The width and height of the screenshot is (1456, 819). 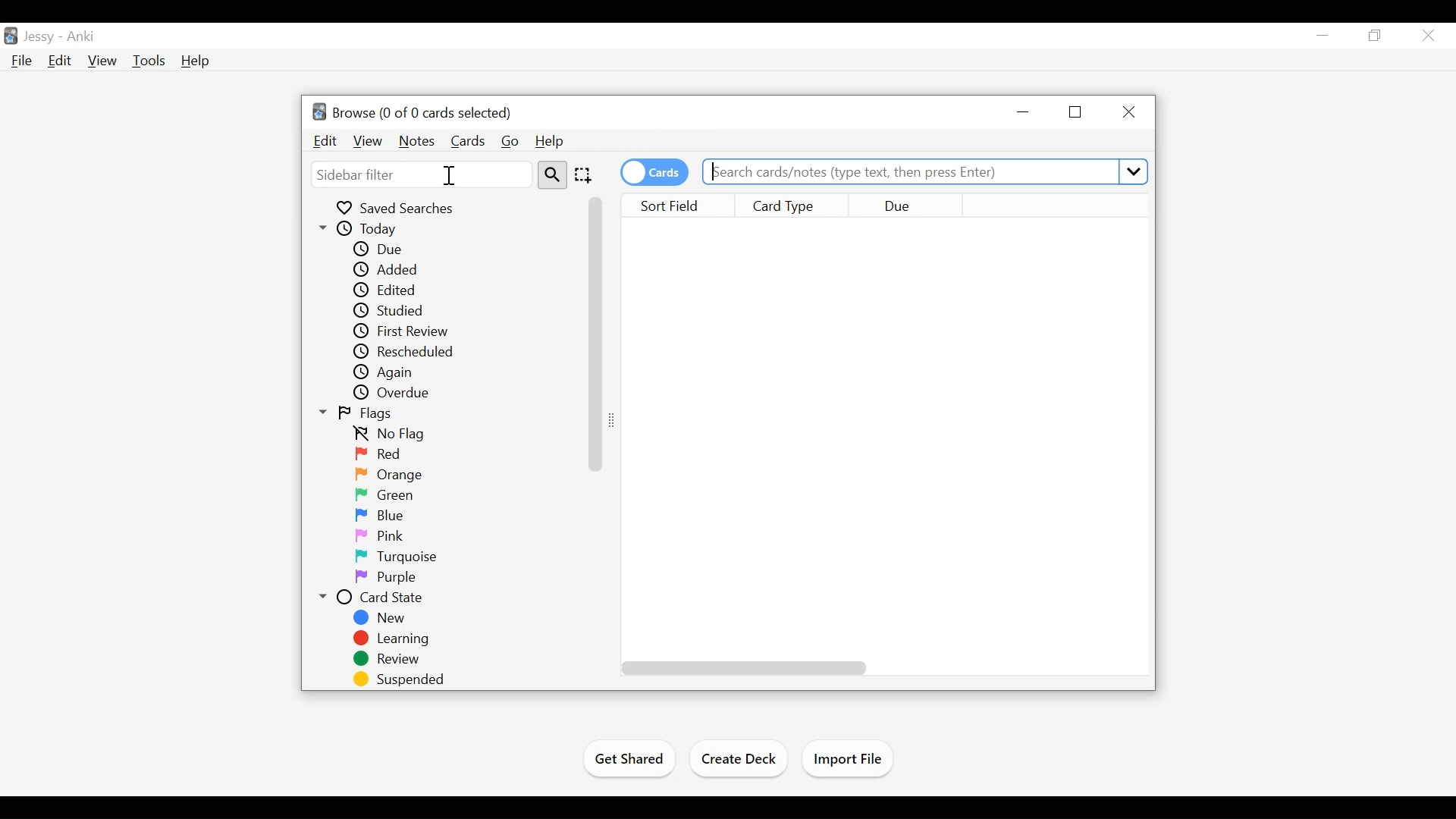 I want to click on Import File, so click(x=852, y=760).